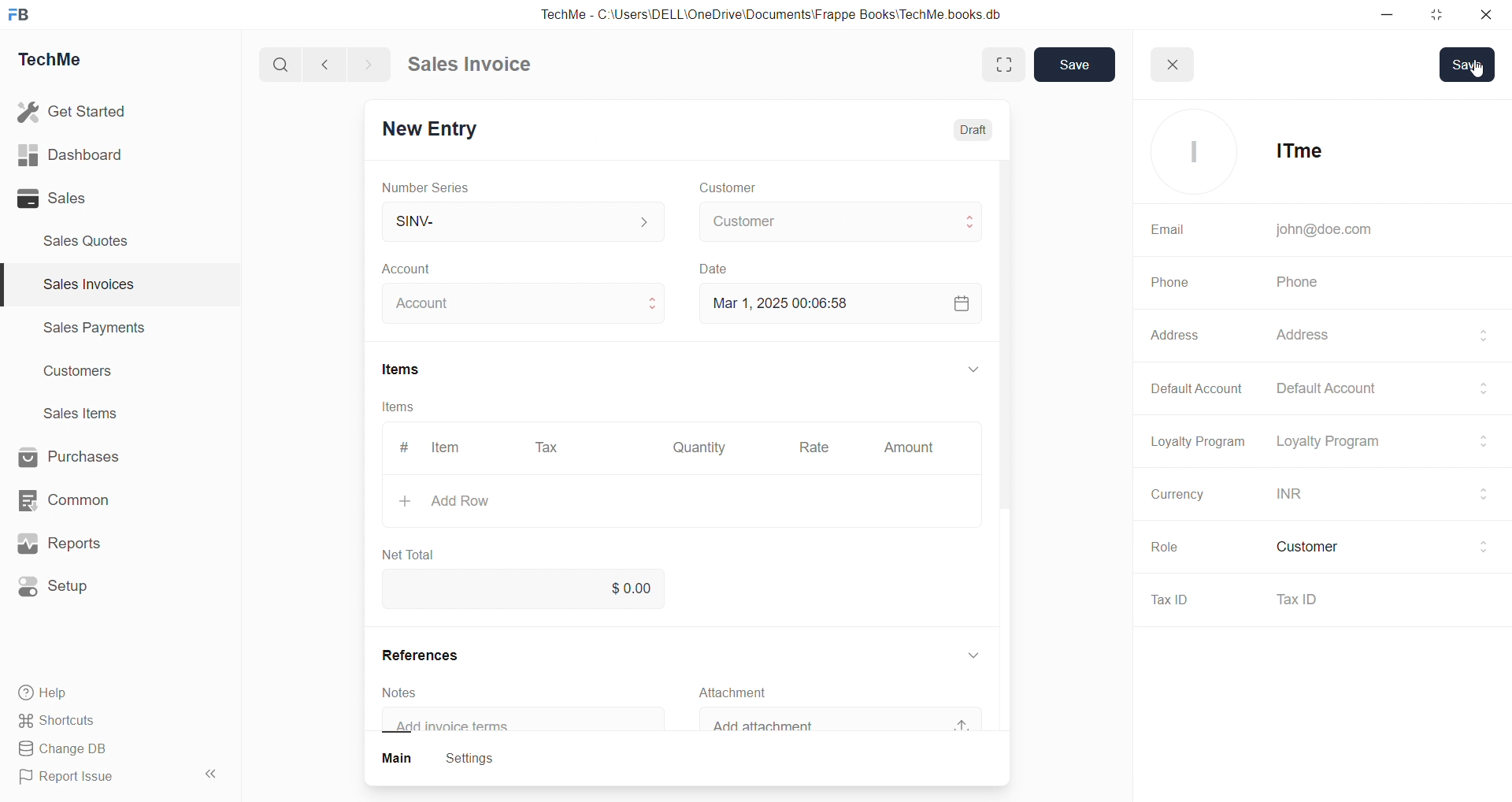  What do you see at coordinates (55, 198) in the screenshot?
I see `8 Sales` at bounding box center [55, 198].